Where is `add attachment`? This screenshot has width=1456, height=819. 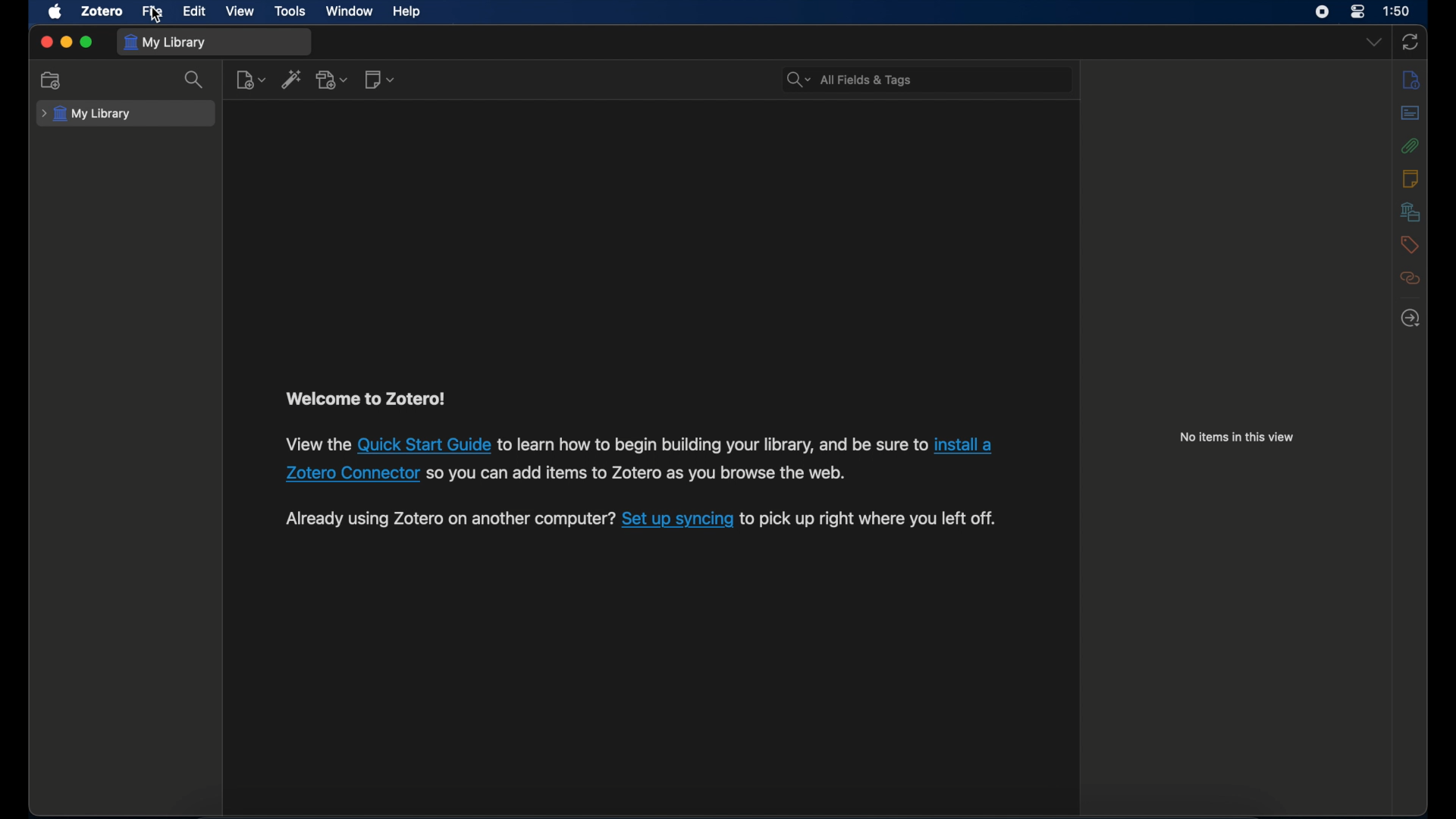 add attachment is located at coordinates (332, 80).